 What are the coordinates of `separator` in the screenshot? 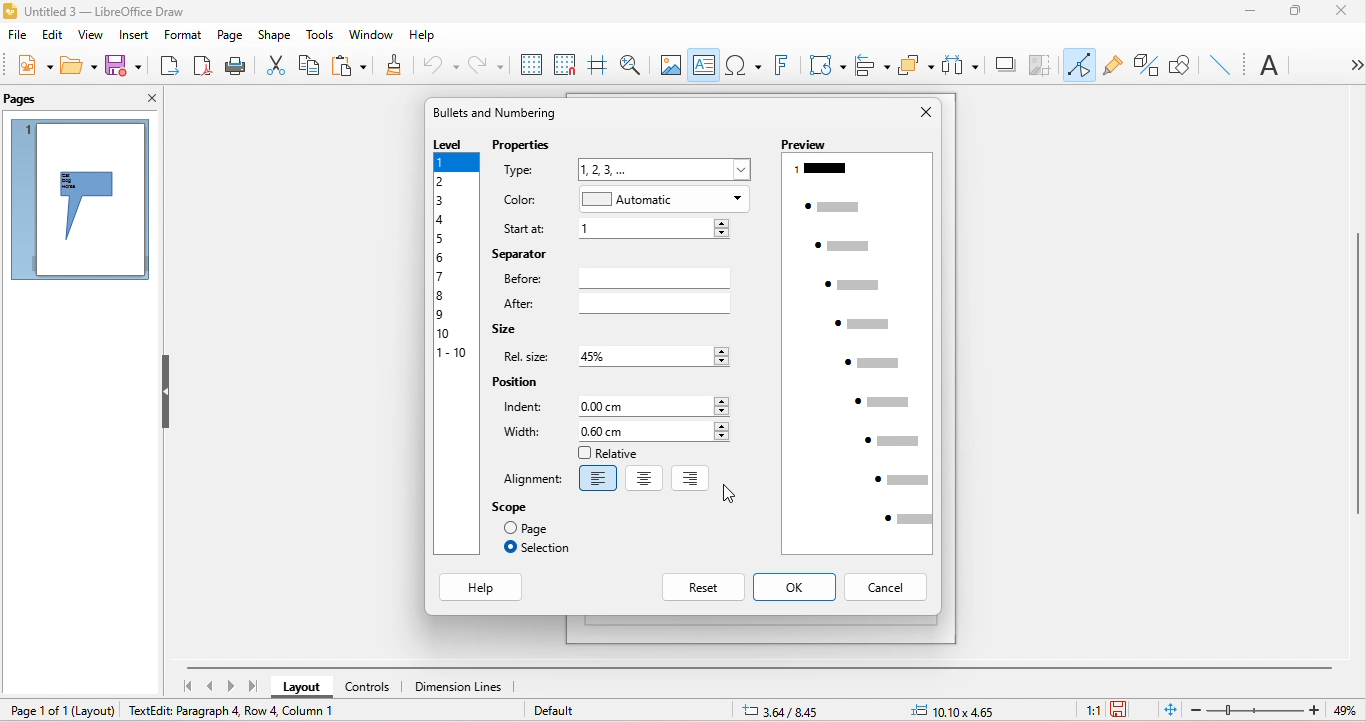 It's located at (520, 256).